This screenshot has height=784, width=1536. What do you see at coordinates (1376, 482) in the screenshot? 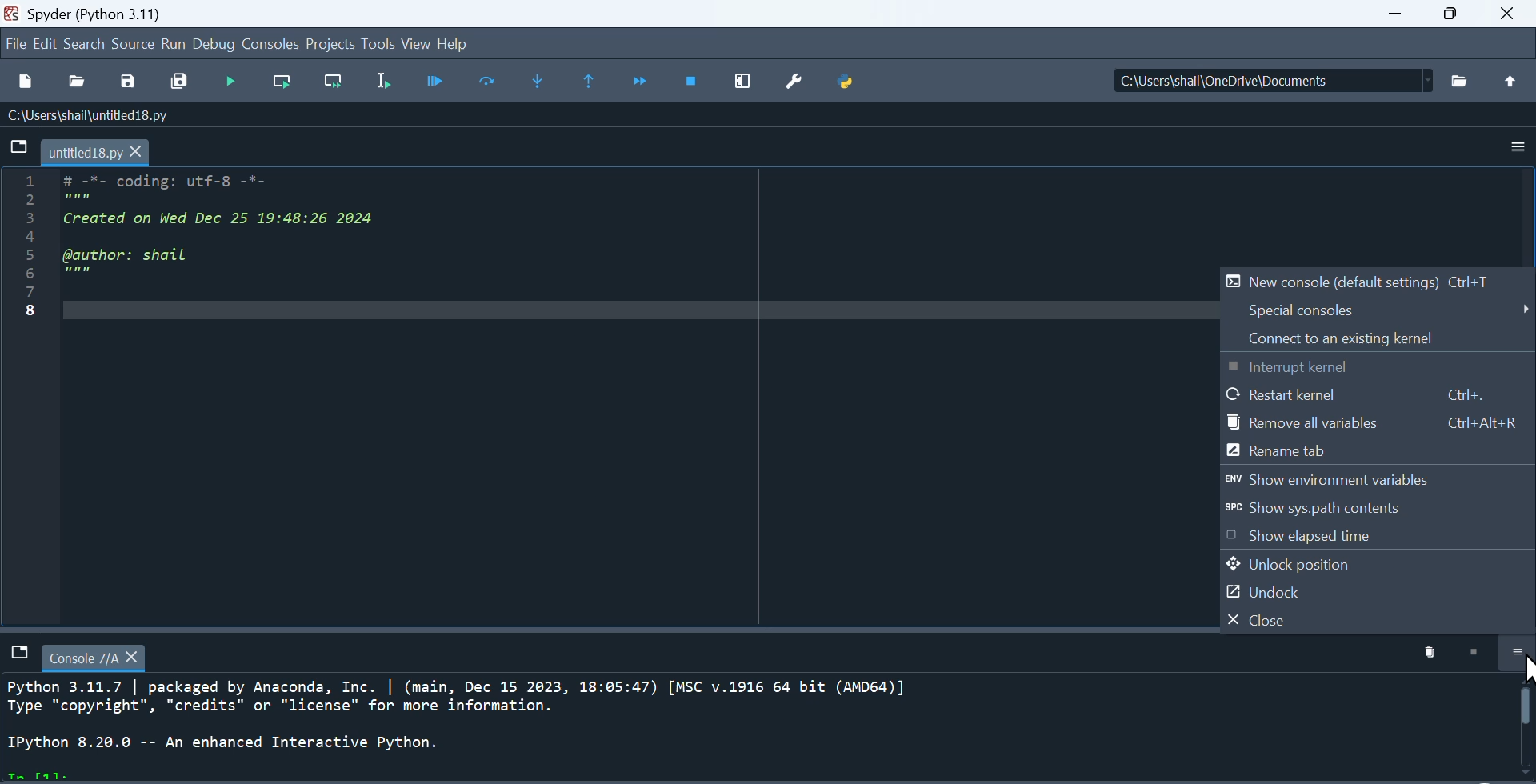
I see `show environment variables` at bounding box center [1376, 482].